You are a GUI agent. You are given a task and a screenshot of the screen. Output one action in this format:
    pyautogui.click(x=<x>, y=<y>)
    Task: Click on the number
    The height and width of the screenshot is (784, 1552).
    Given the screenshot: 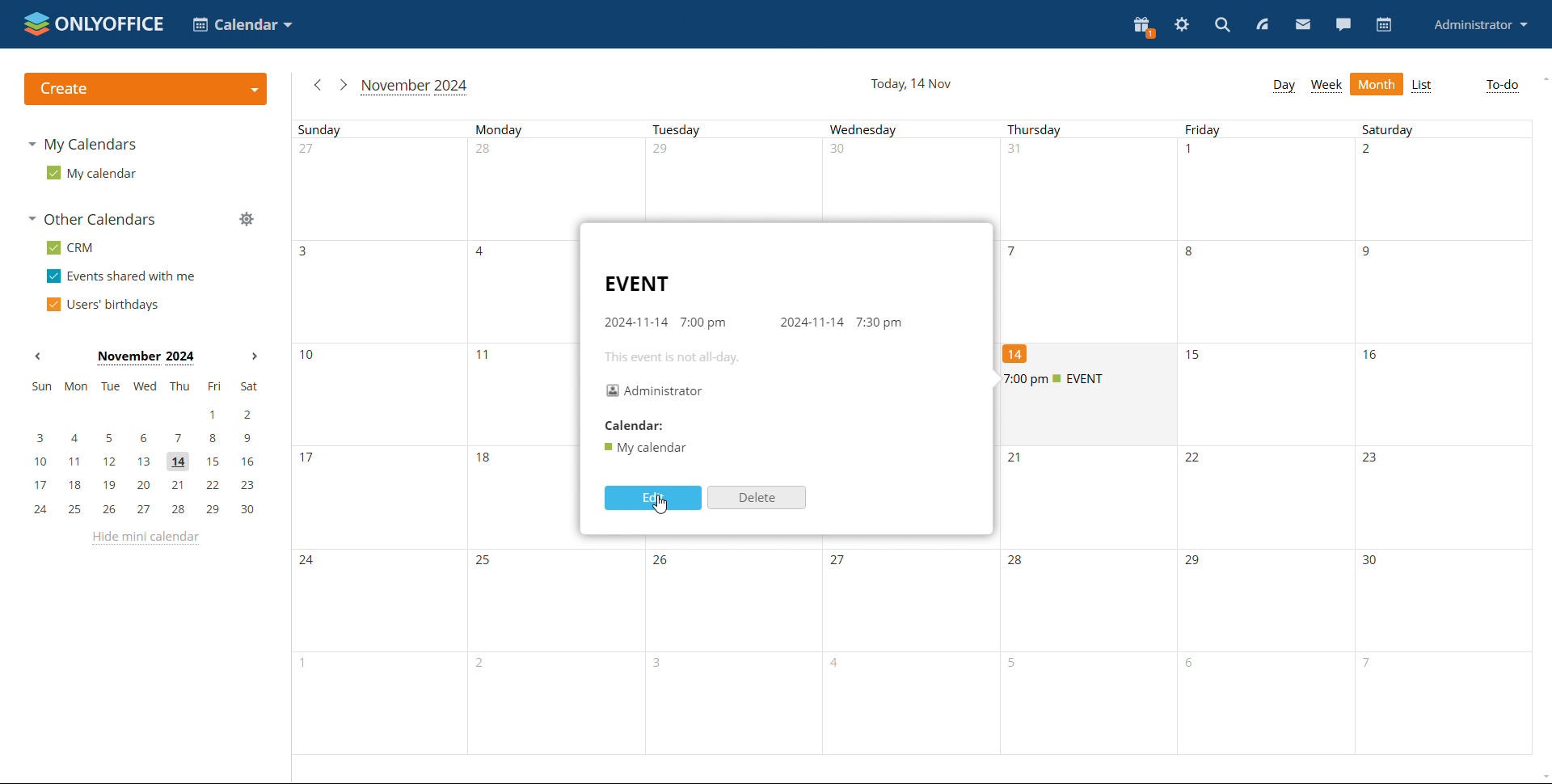 What is the action you would take?
    pyautogui.click(x=664, y=664)
    